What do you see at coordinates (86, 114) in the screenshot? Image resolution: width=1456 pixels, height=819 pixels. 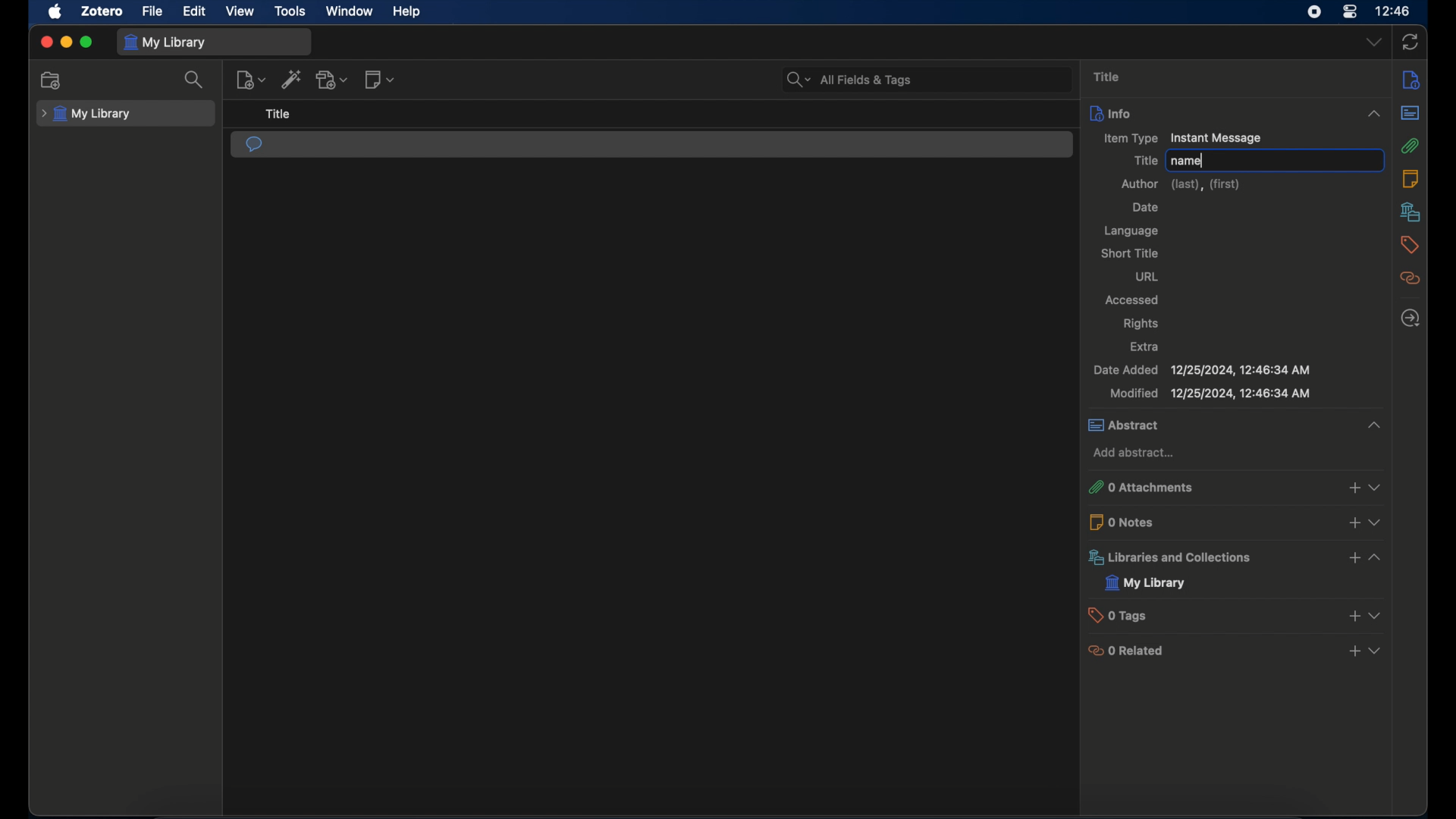 I see `my library` at bounding box center [86, 114].